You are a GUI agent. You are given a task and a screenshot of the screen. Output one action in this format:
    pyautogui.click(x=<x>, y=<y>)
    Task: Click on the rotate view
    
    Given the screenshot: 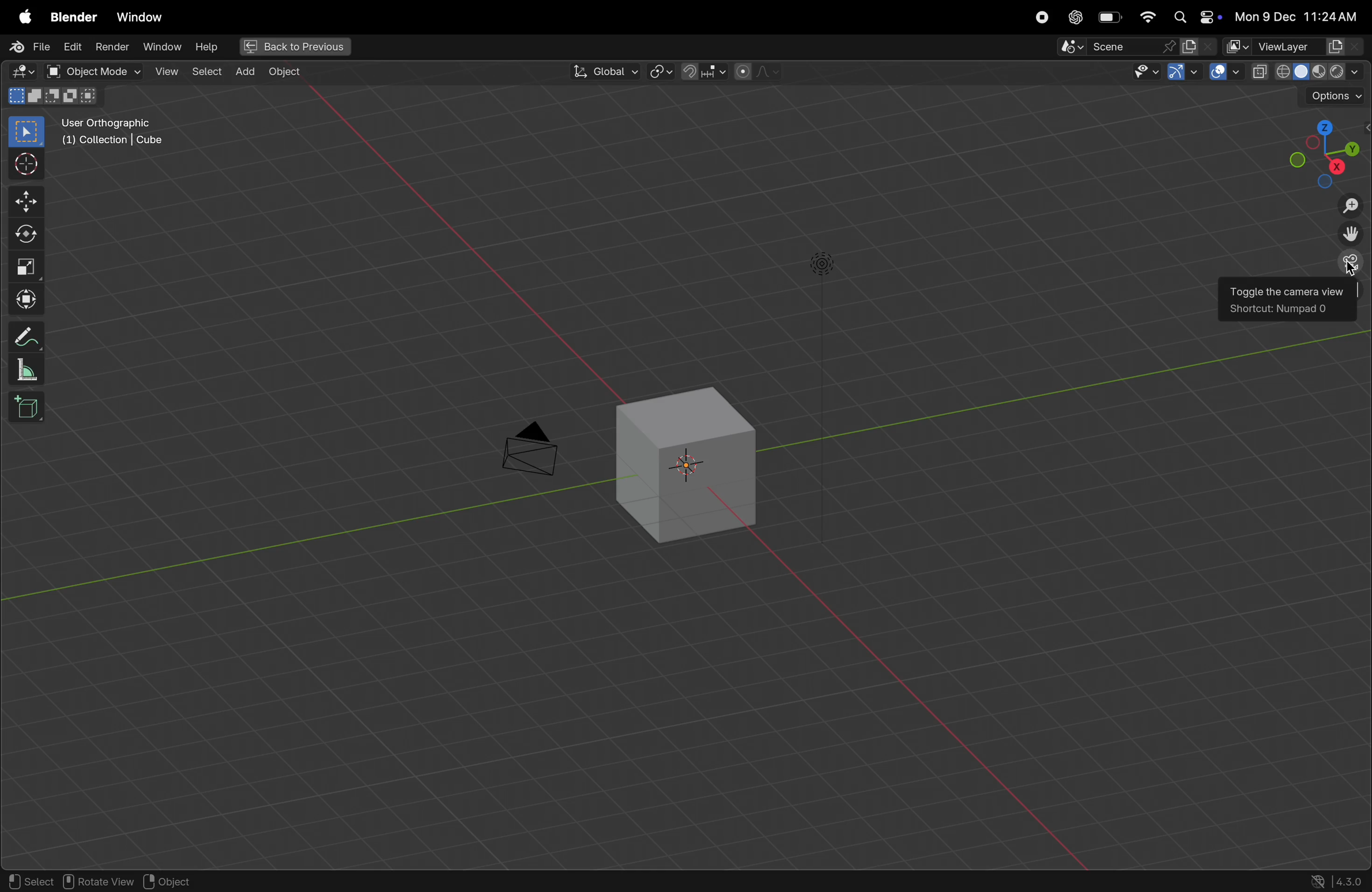 What is the action you would take?
    pyautogui.click(x=96, y=881)
    